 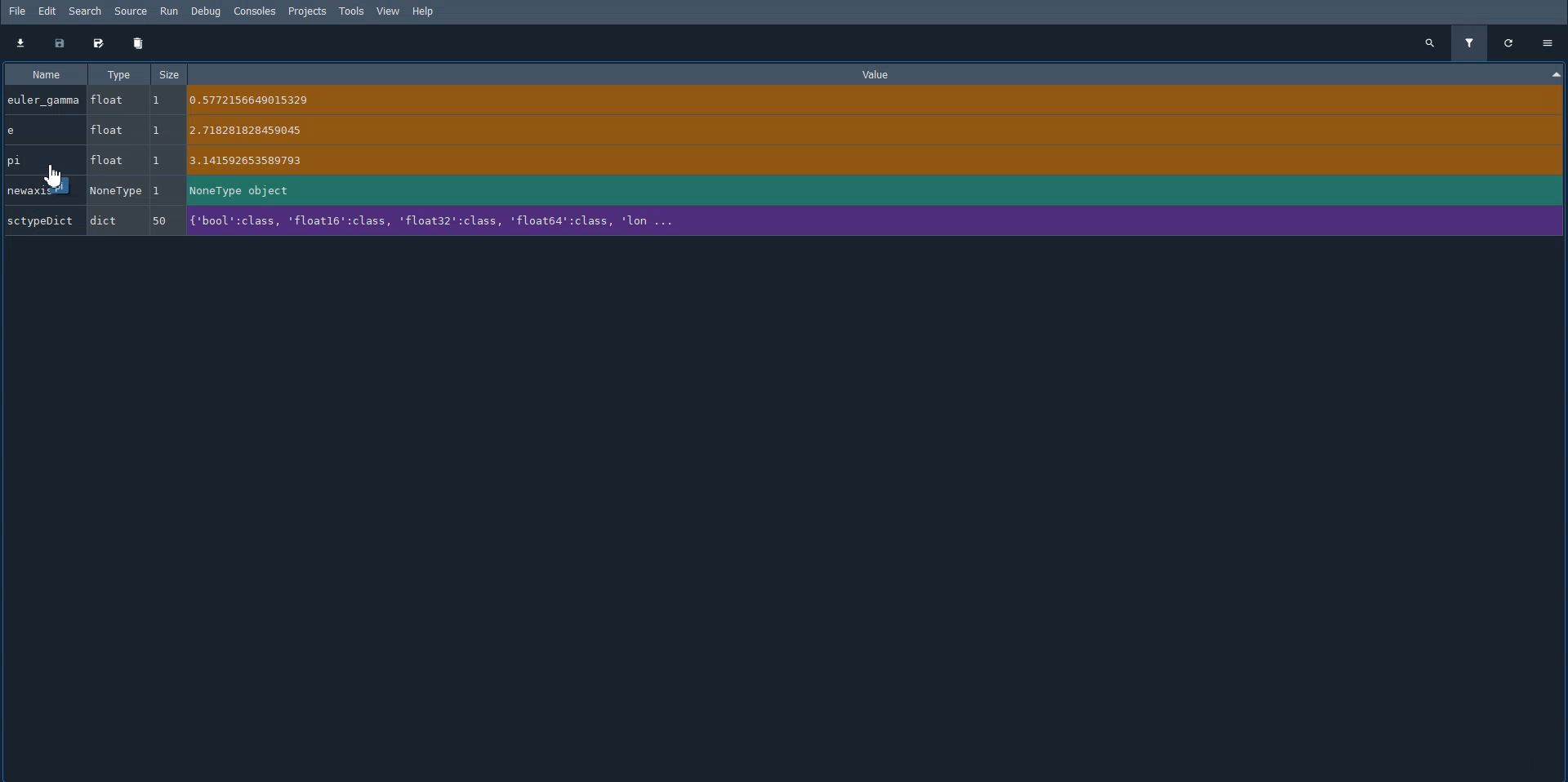 What do you see at coordinates (784, 130) in the screenshot?
I see `e` at bounding box center [784, 130].